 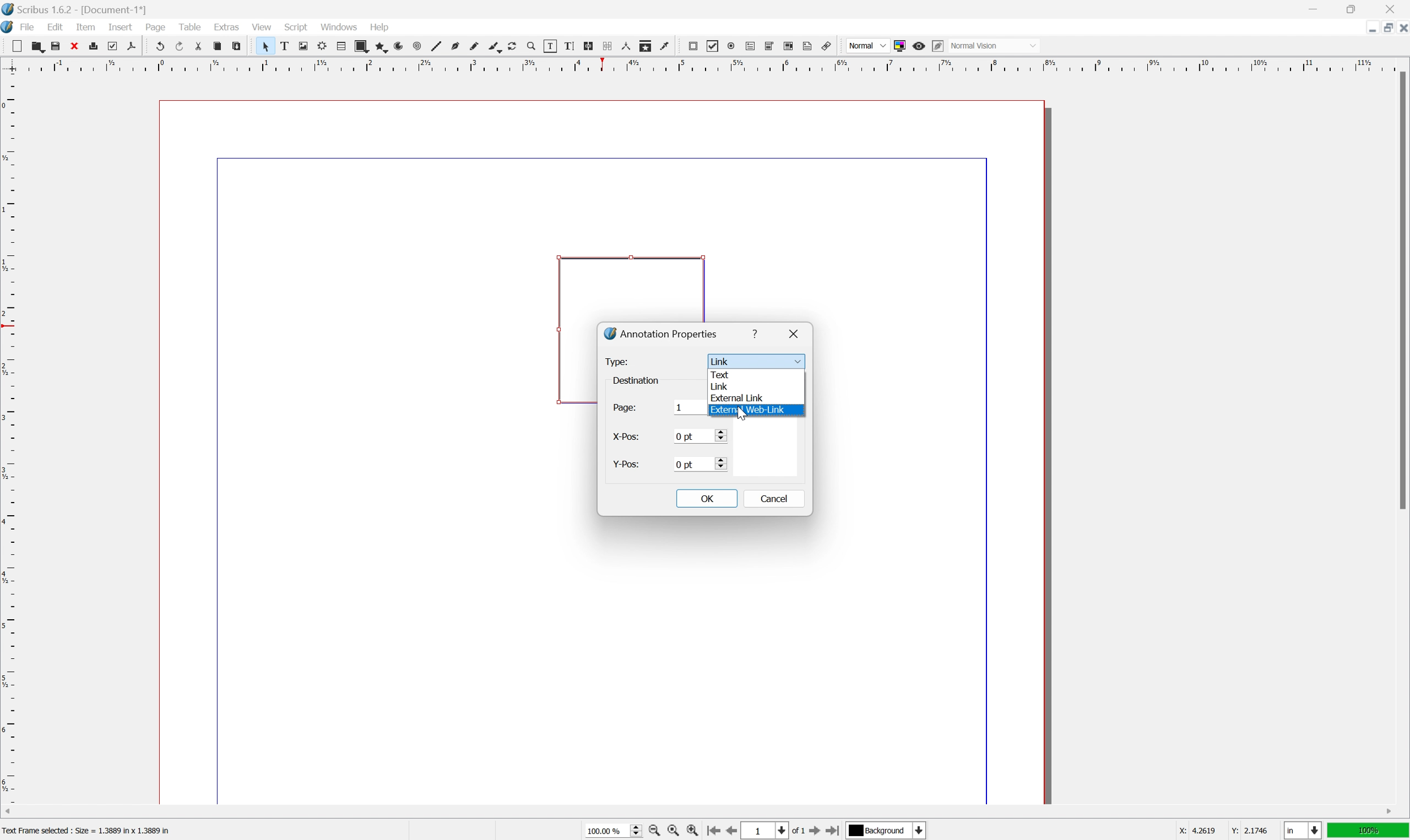 What do you see at coordinates (626, 46) in the screenshot?
I see `measurements` at bounding box center [626, 46].